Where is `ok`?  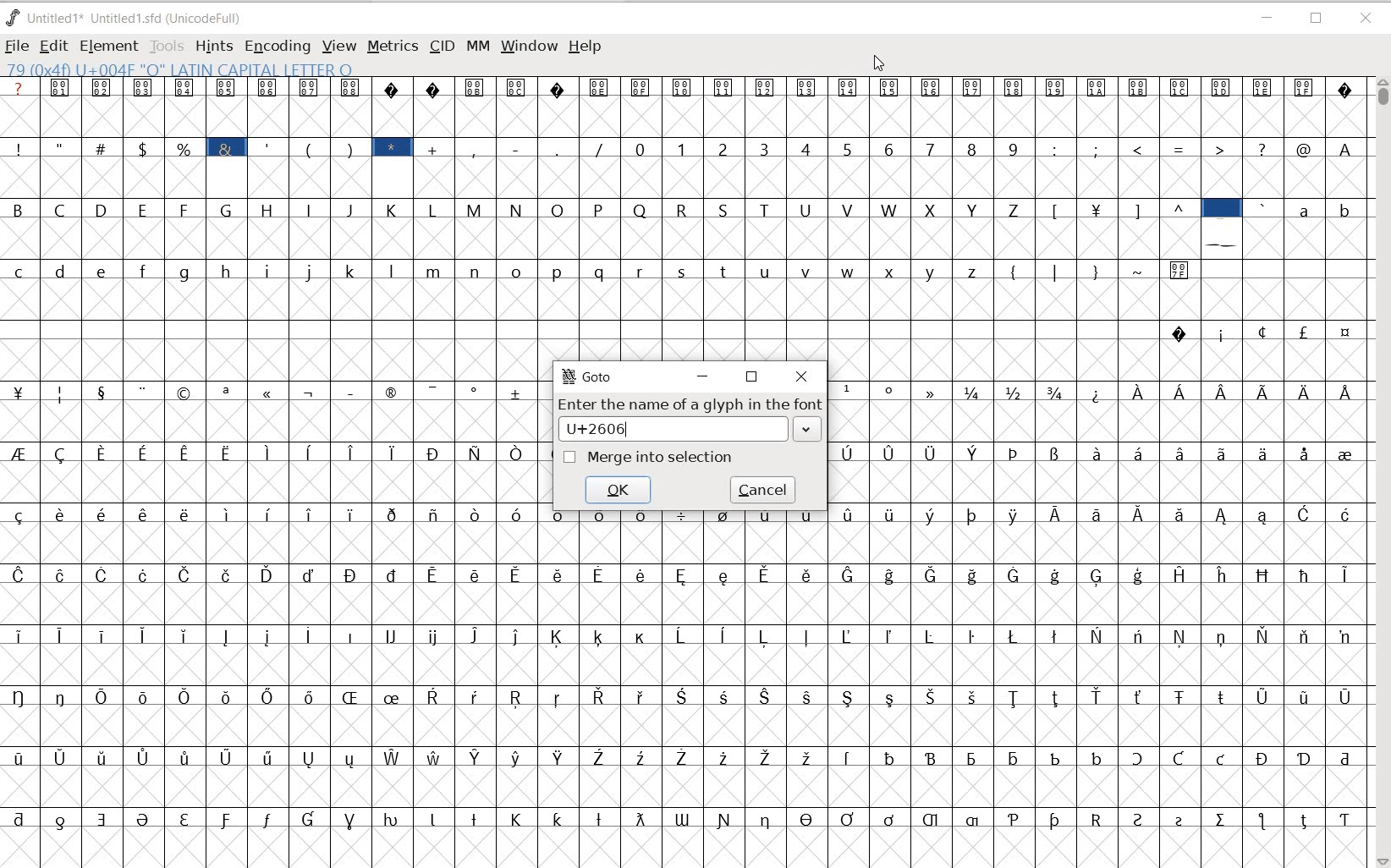
ok is located at coordinates (619, 490).